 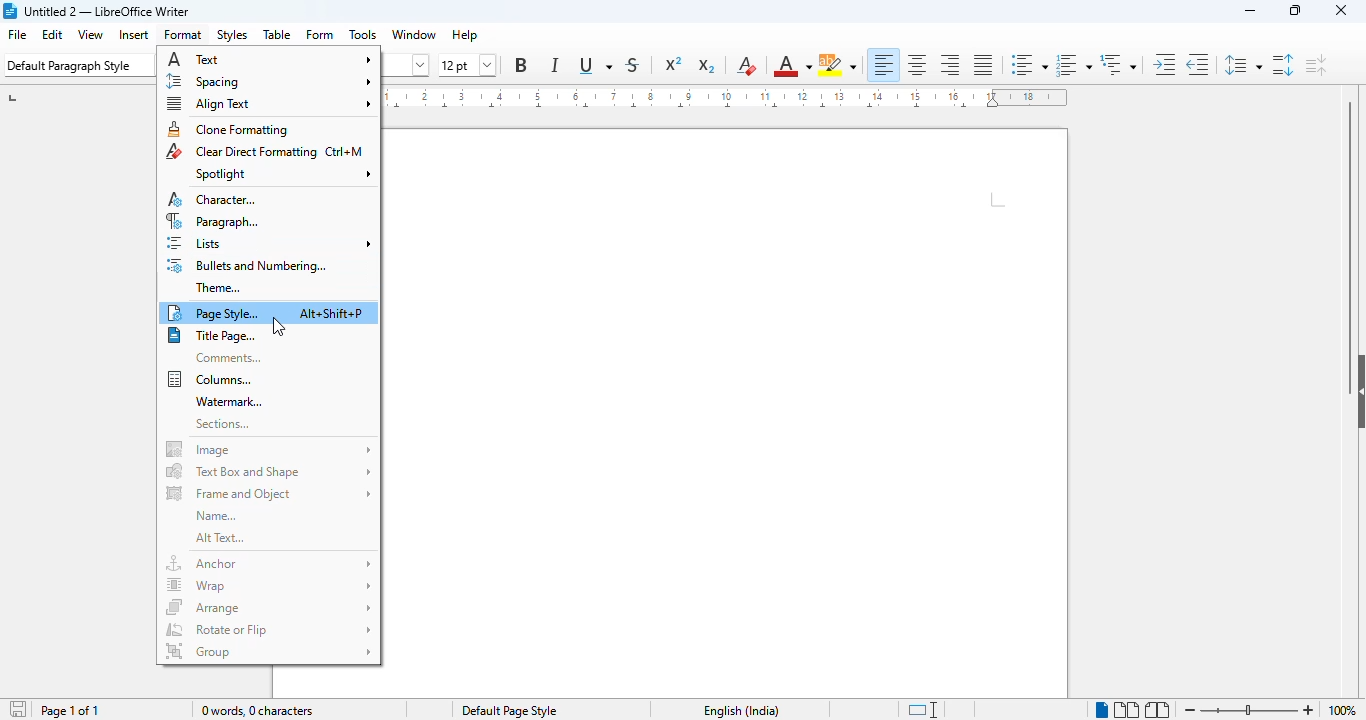 I want to click on decrease indent, so click(x=1197, y=65).